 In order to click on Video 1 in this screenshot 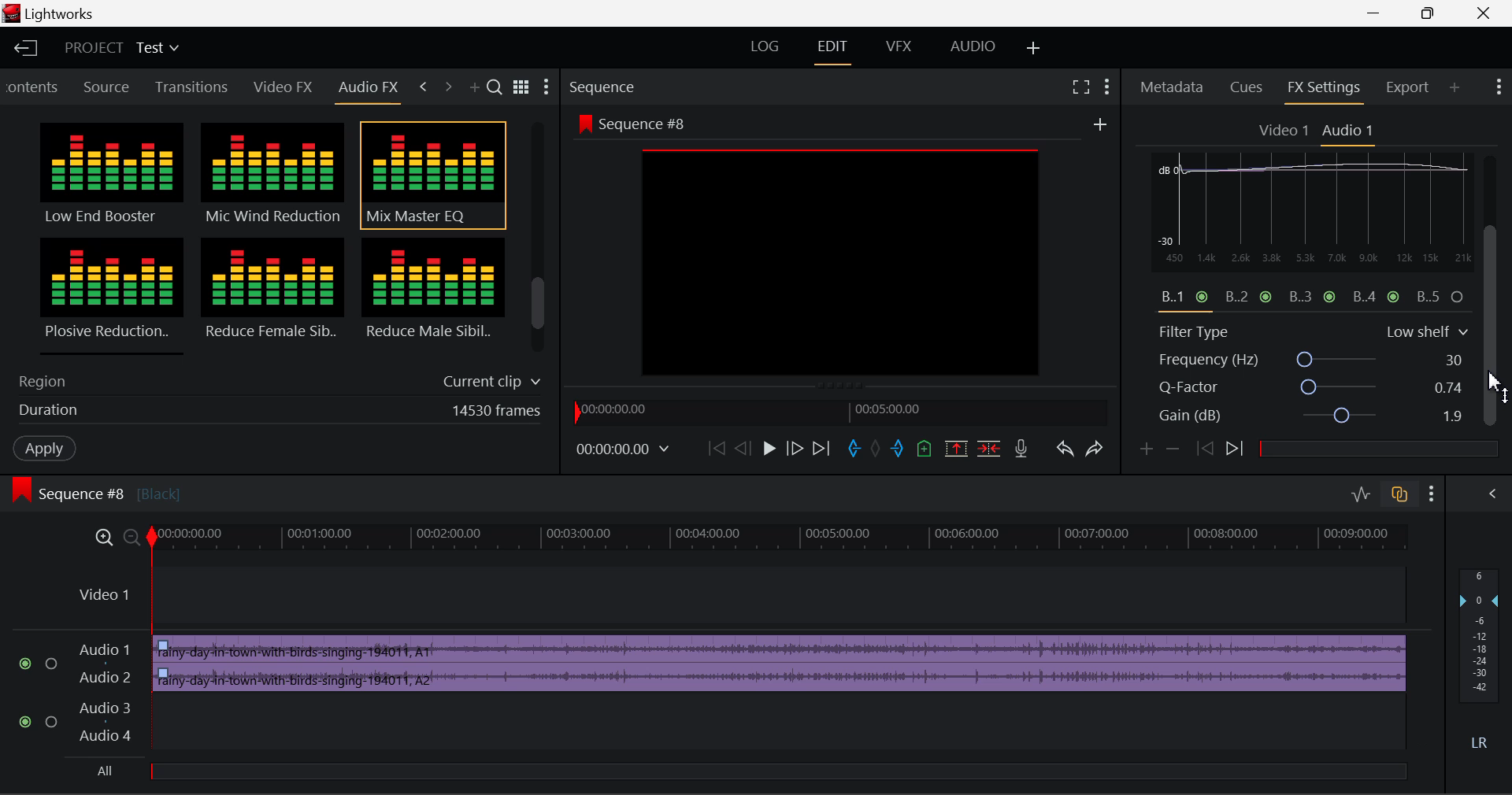, I will do `click(1284, 131)`.